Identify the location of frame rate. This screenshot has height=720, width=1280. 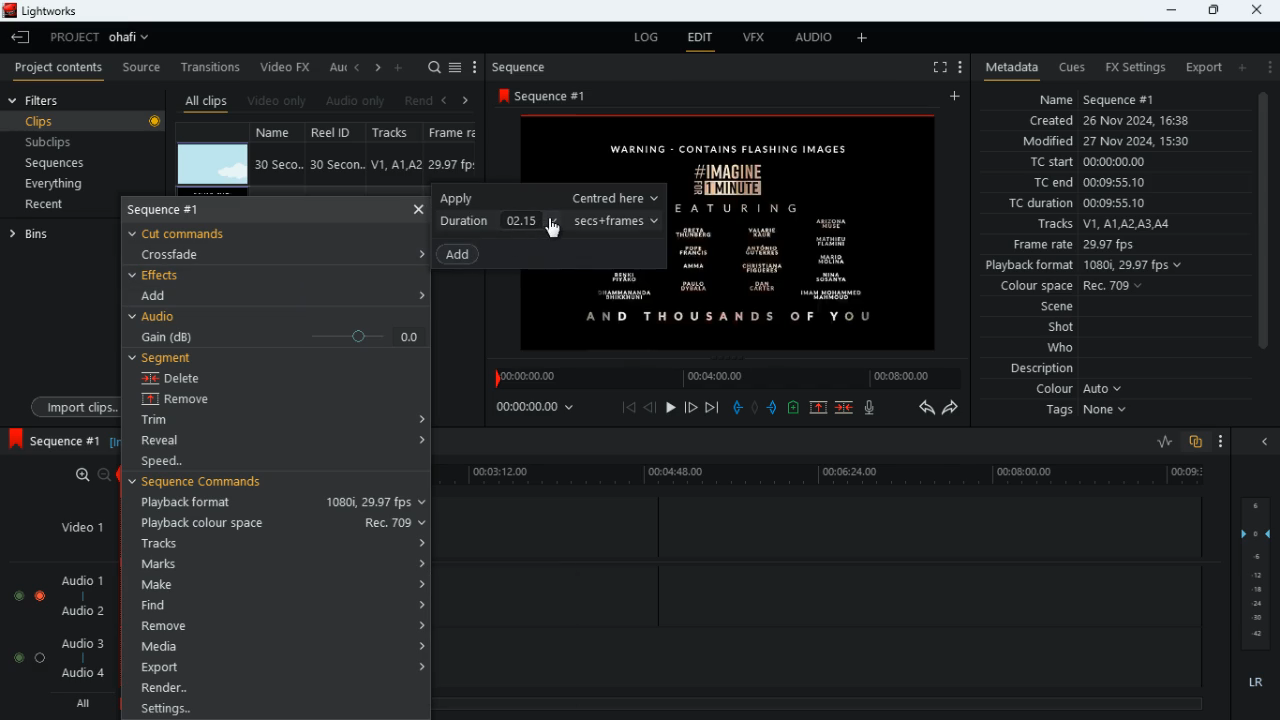
(1104, 245).